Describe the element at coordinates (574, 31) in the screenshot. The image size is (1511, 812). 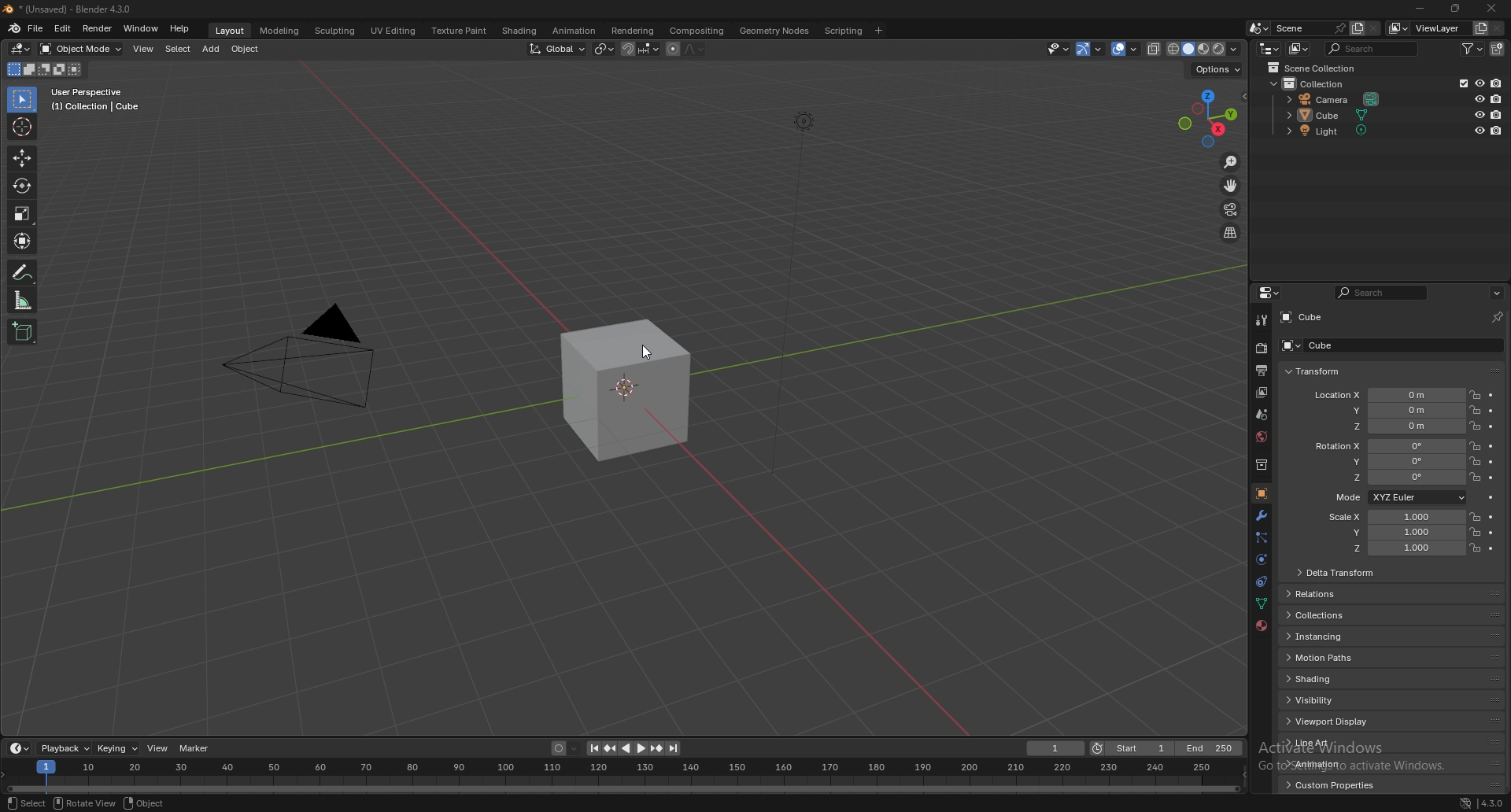
I see `animation` at that location.